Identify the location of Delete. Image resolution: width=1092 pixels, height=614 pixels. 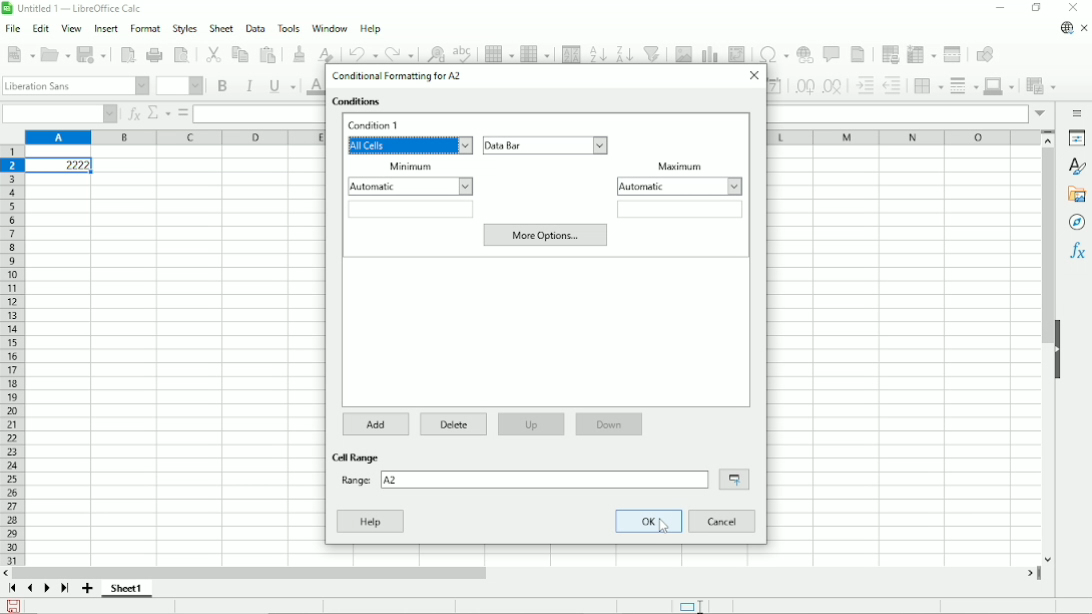
(455, 425).